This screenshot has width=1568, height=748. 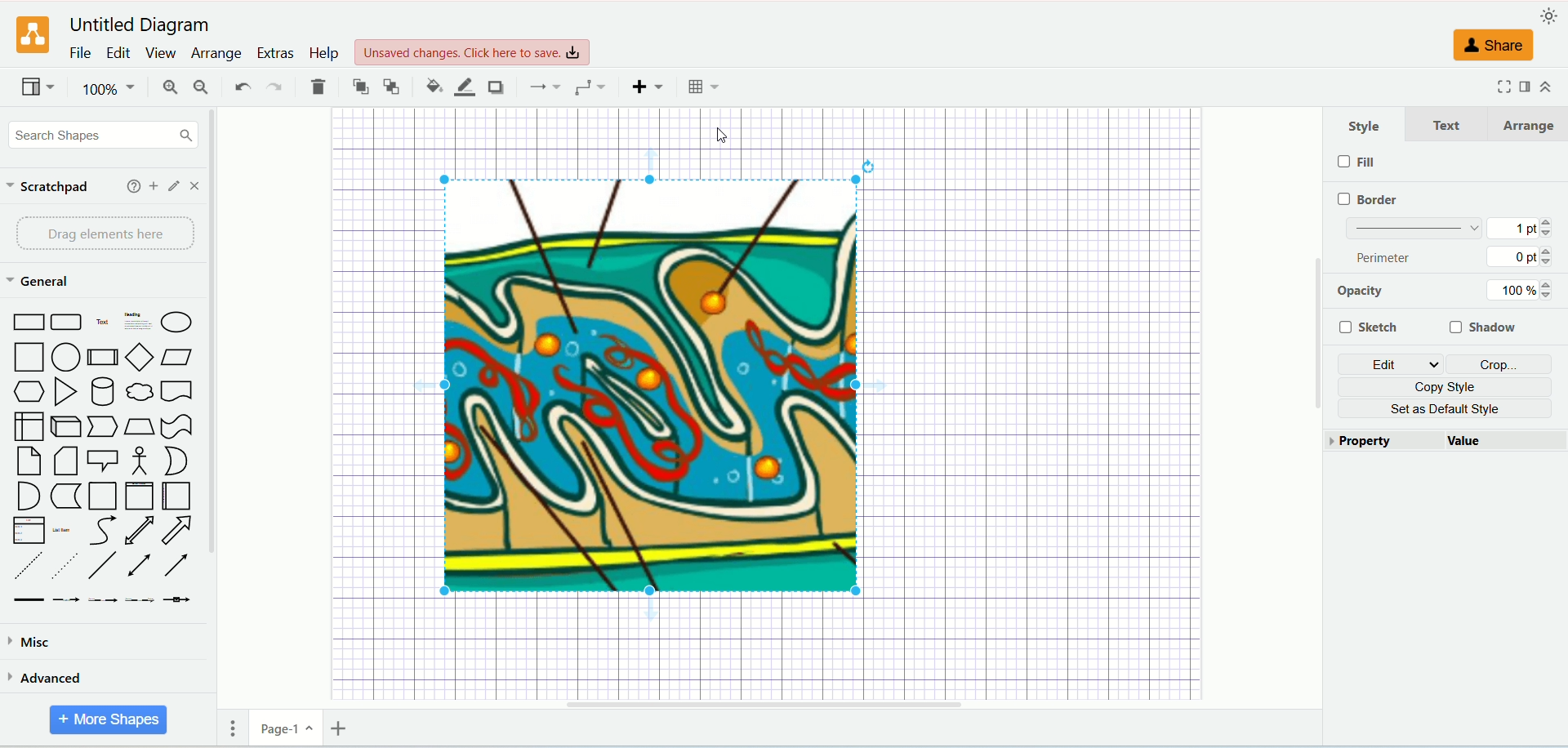 I want to click on Vertical Container, so click(x=142, y=496).